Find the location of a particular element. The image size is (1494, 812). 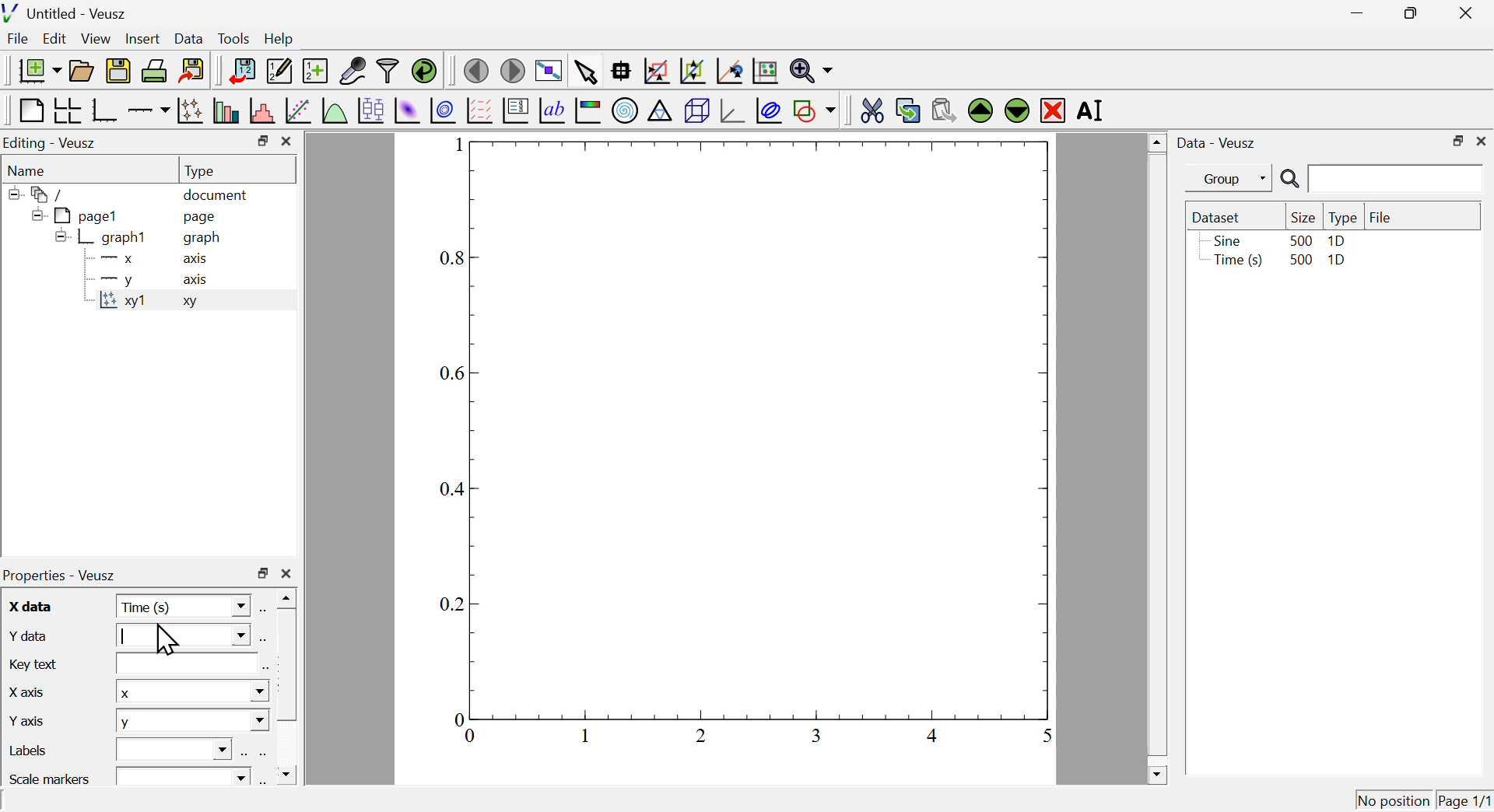

cut the selected widget is located at coordinates (869, 109).